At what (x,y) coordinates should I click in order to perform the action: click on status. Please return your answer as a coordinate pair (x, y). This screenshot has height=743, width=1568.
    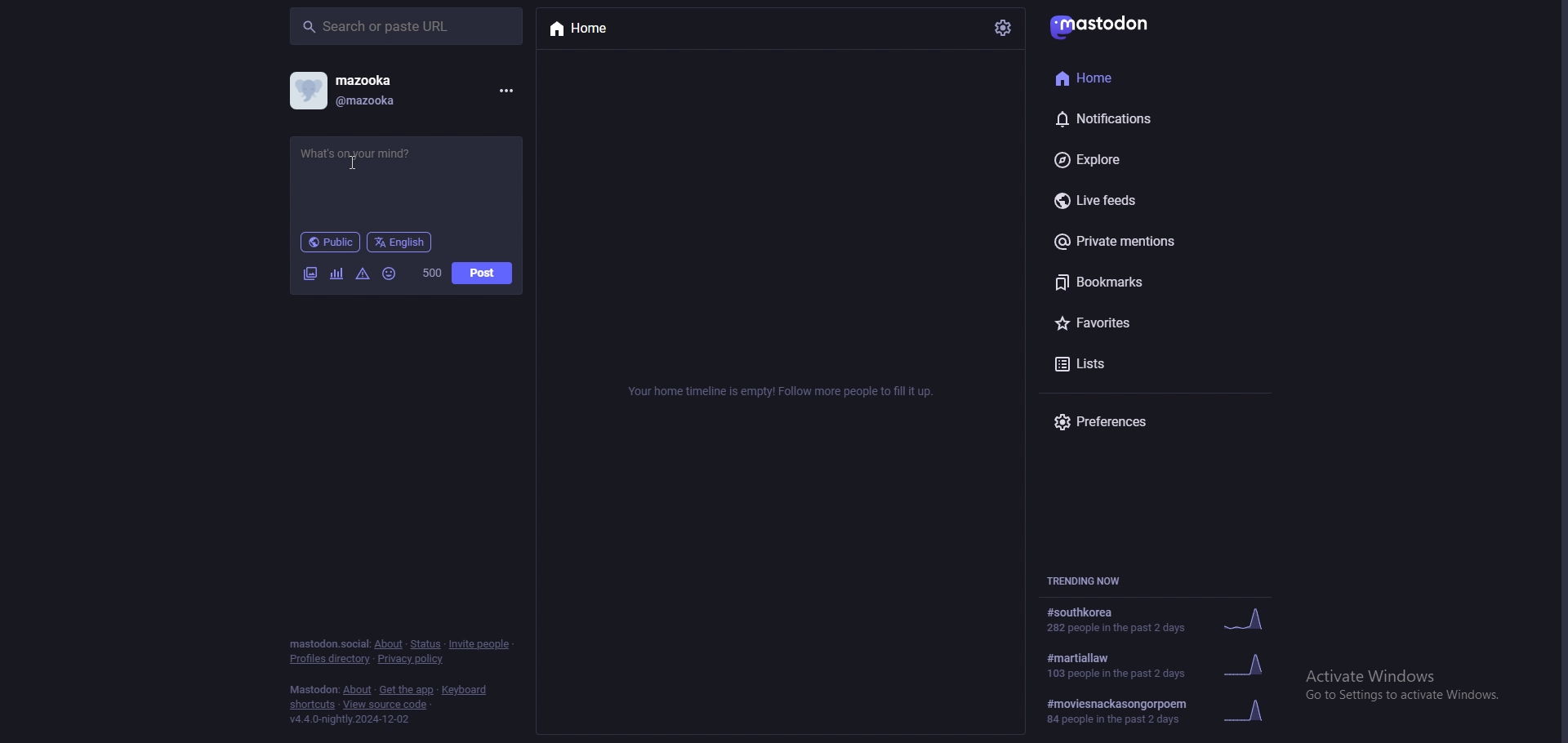
    Looking at the image, I should click on (425, 643).